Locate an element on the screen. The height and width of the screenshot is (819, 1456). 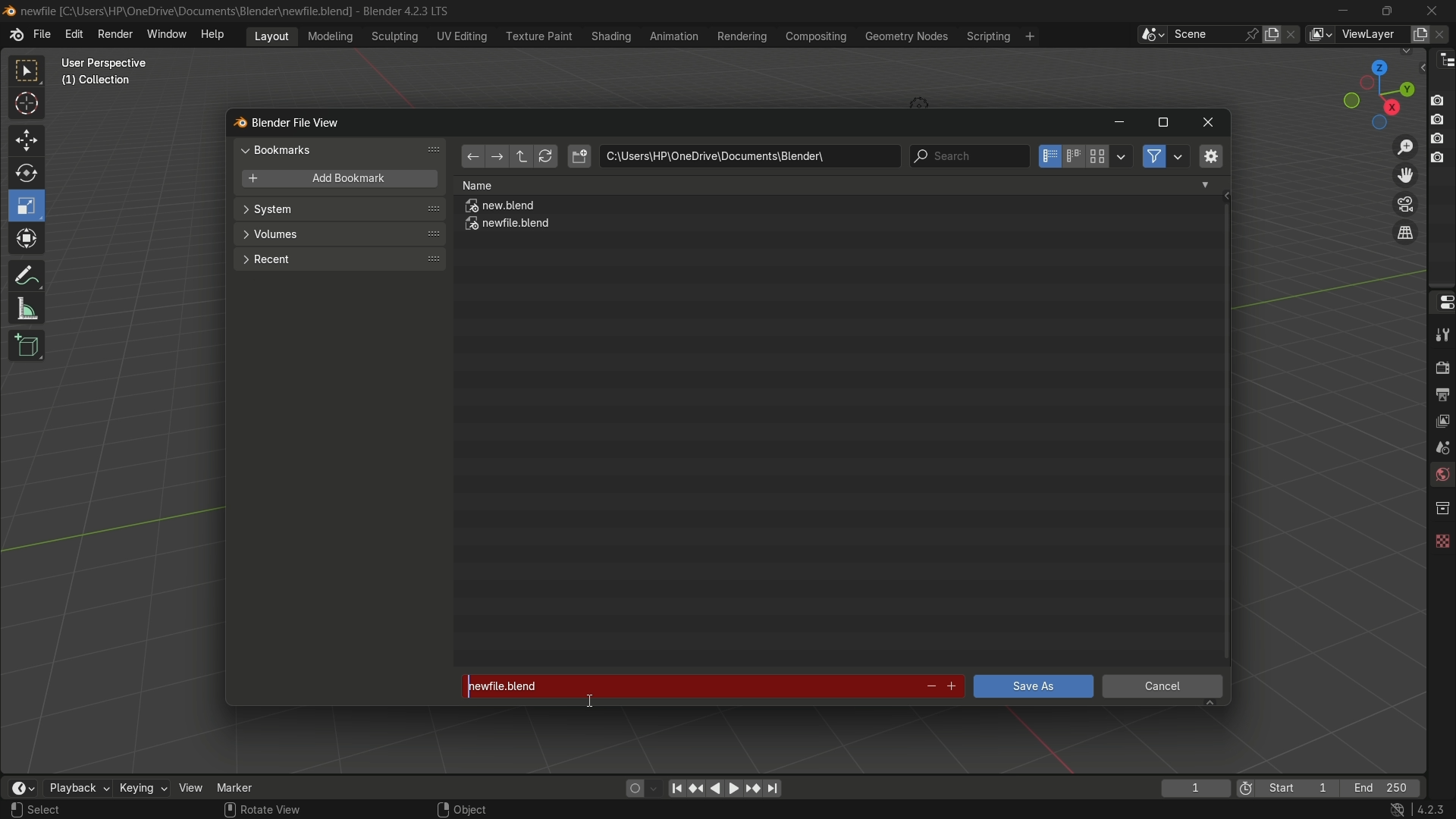
jump to keyframe is located at coordinates (753, 787).